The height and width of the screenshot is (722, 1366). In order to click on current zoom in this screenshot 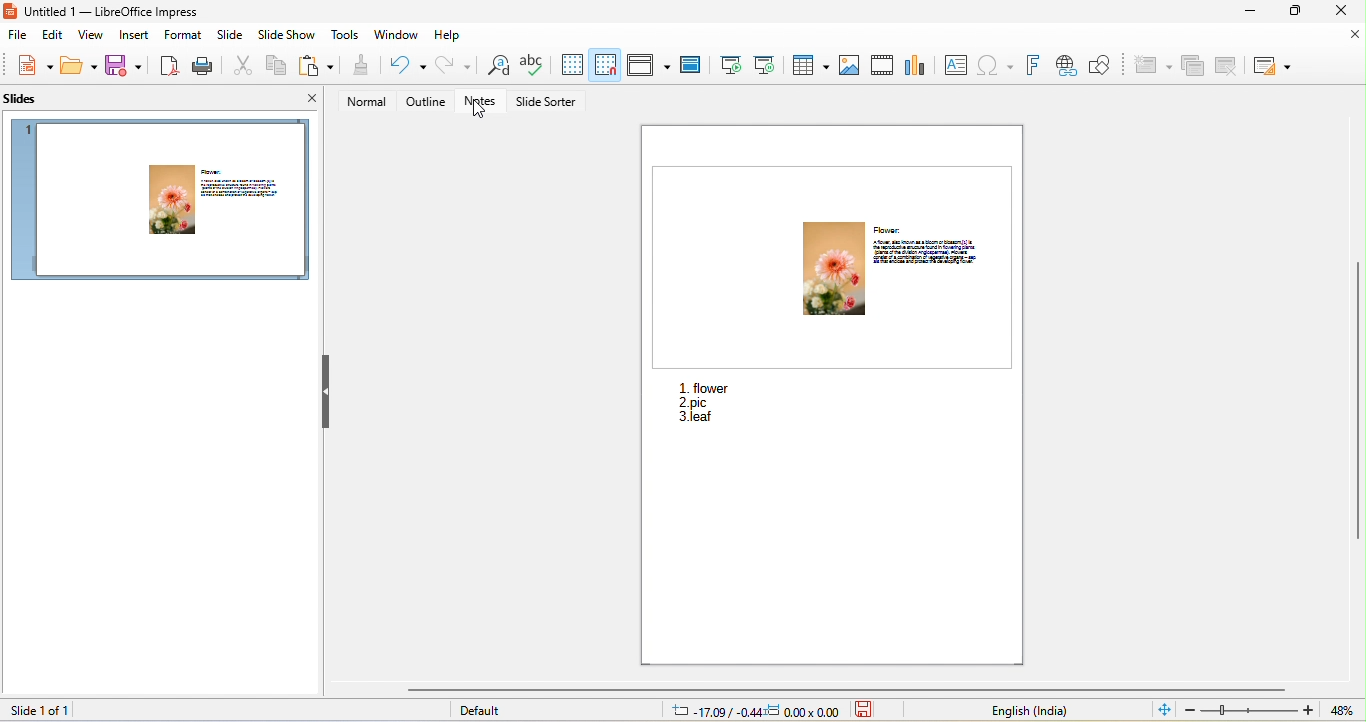, I will do `click(1347, 710)`.